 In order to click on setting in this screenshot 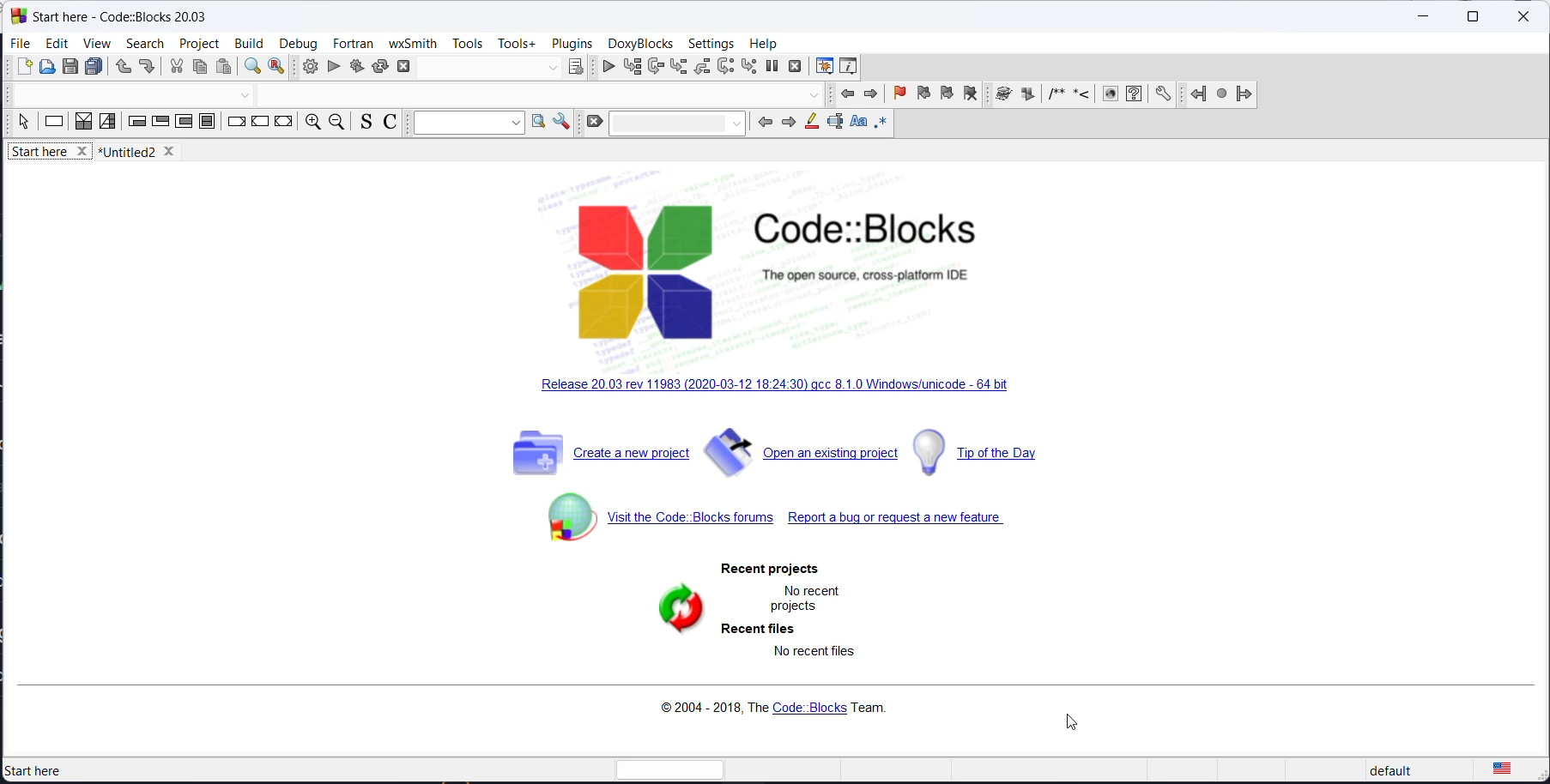, I will do `click(1164, 94)`.